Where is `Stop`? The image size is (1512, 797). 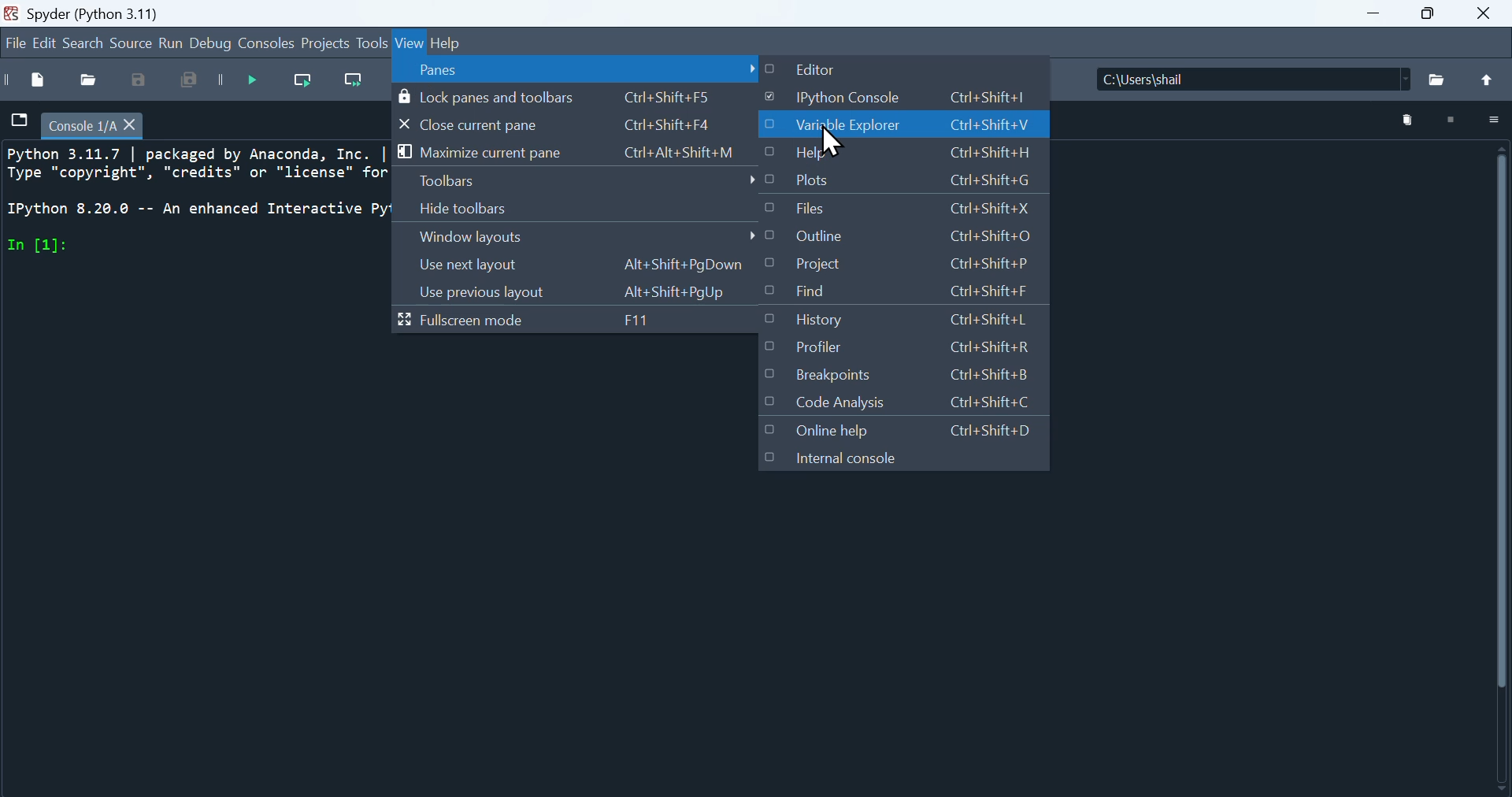 Stop is located at coordinates (1454, 120).